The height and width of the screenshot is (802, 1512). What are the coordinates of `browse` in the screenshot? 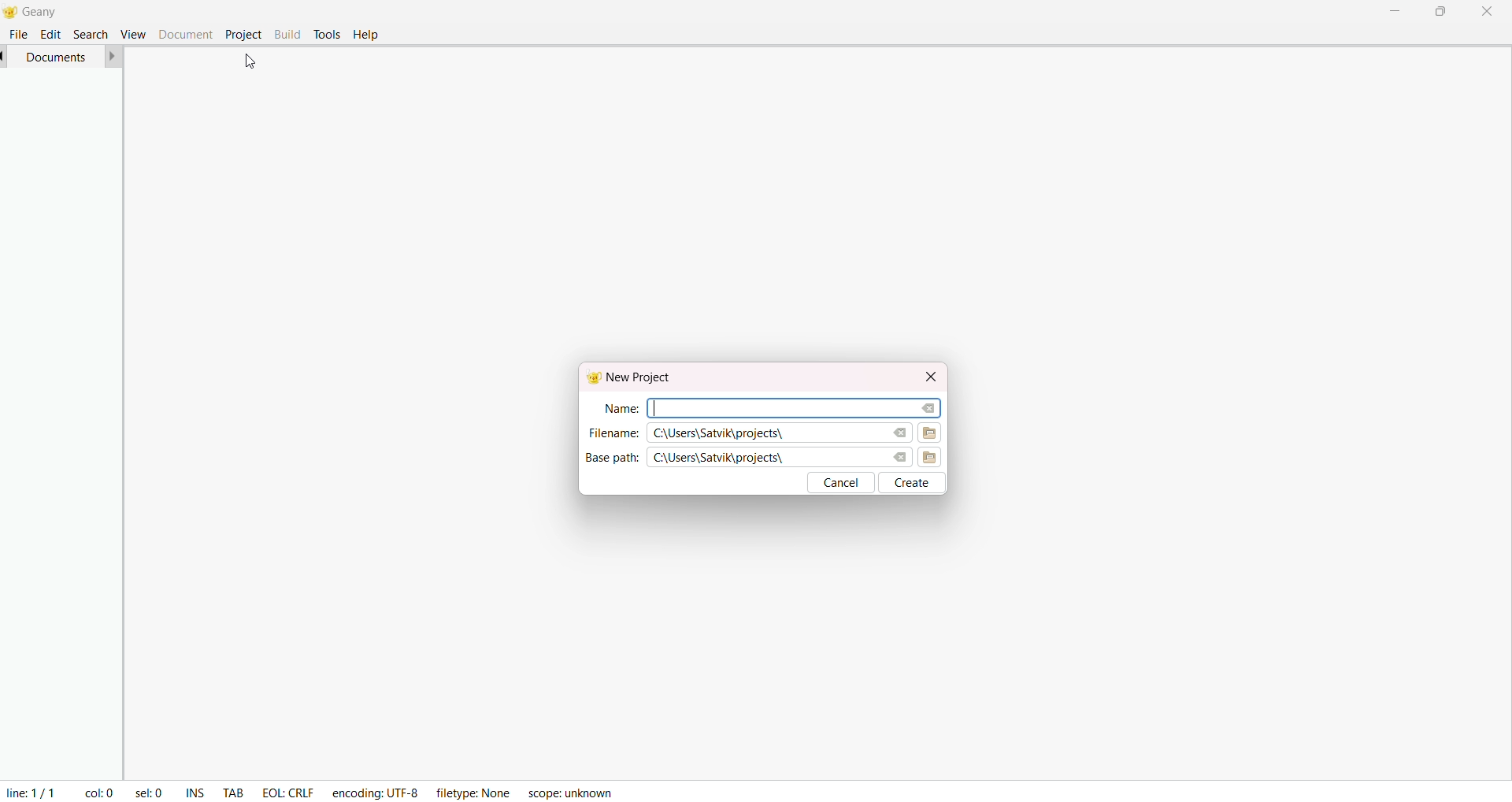 It's located at (935, 458).